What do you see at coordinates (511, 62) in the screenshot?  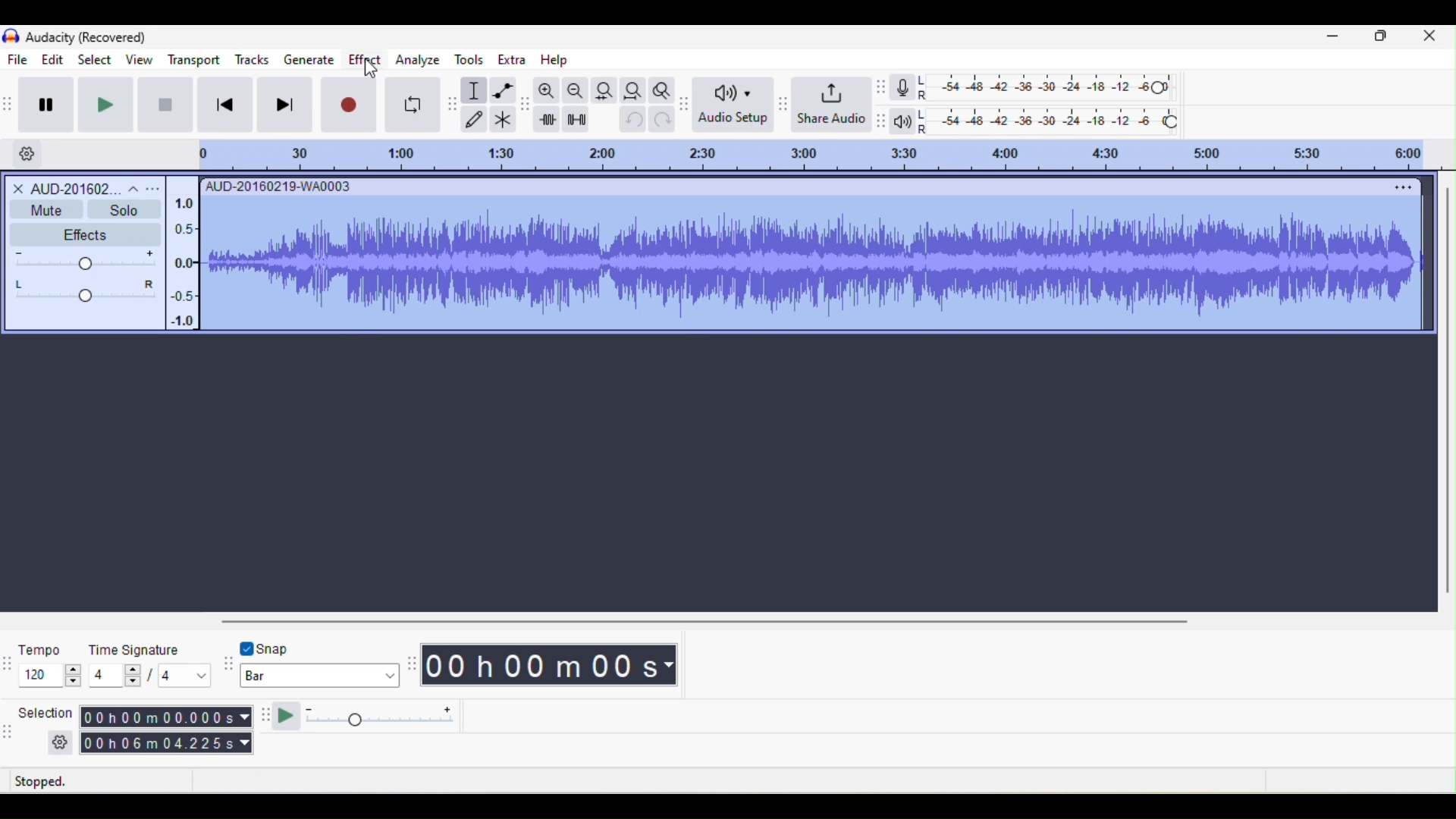 I see `extra` at bounding box center [511, 62].